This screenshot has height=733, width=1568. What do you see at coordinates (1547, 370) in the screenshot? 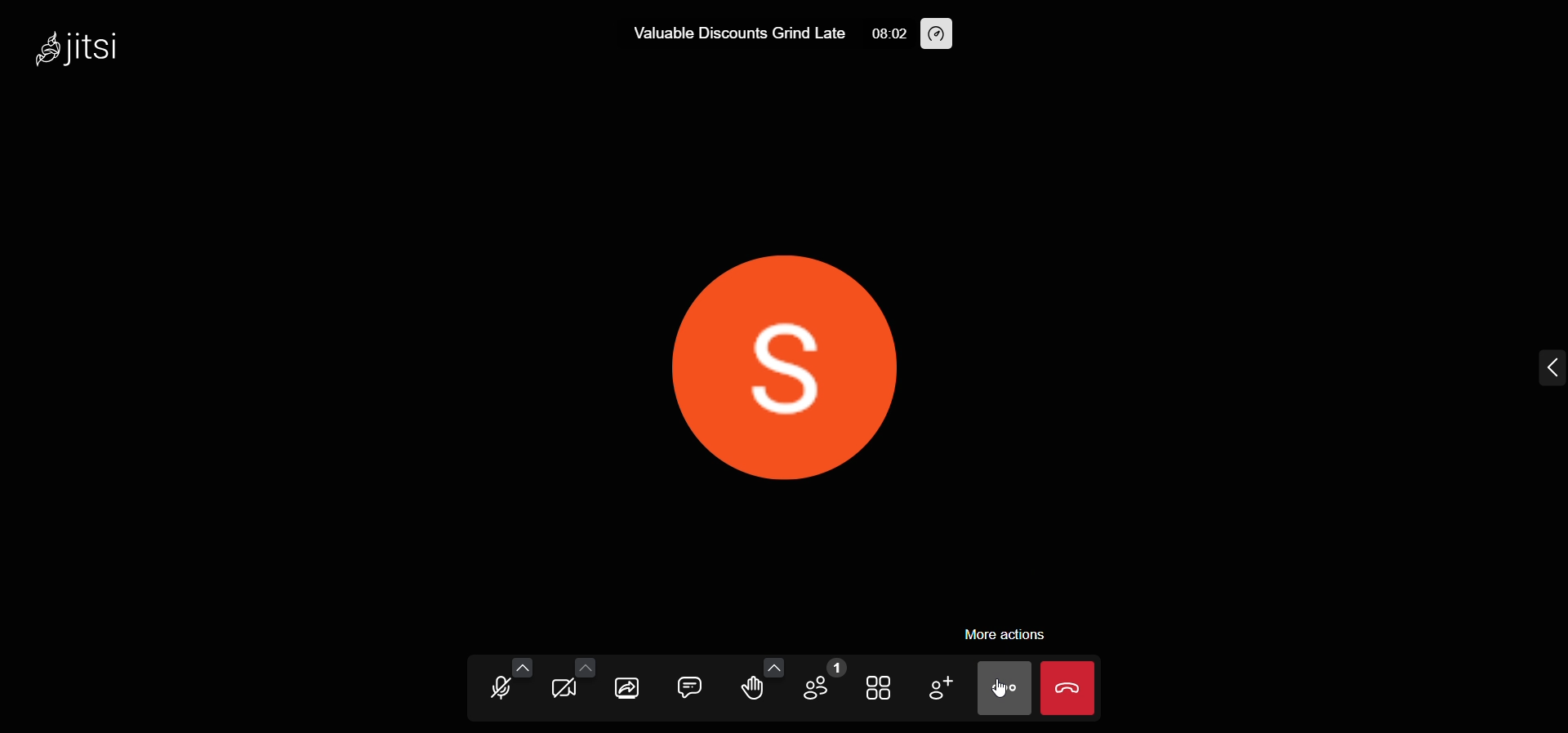
I see `expand` at bounding box center [1547, 370].